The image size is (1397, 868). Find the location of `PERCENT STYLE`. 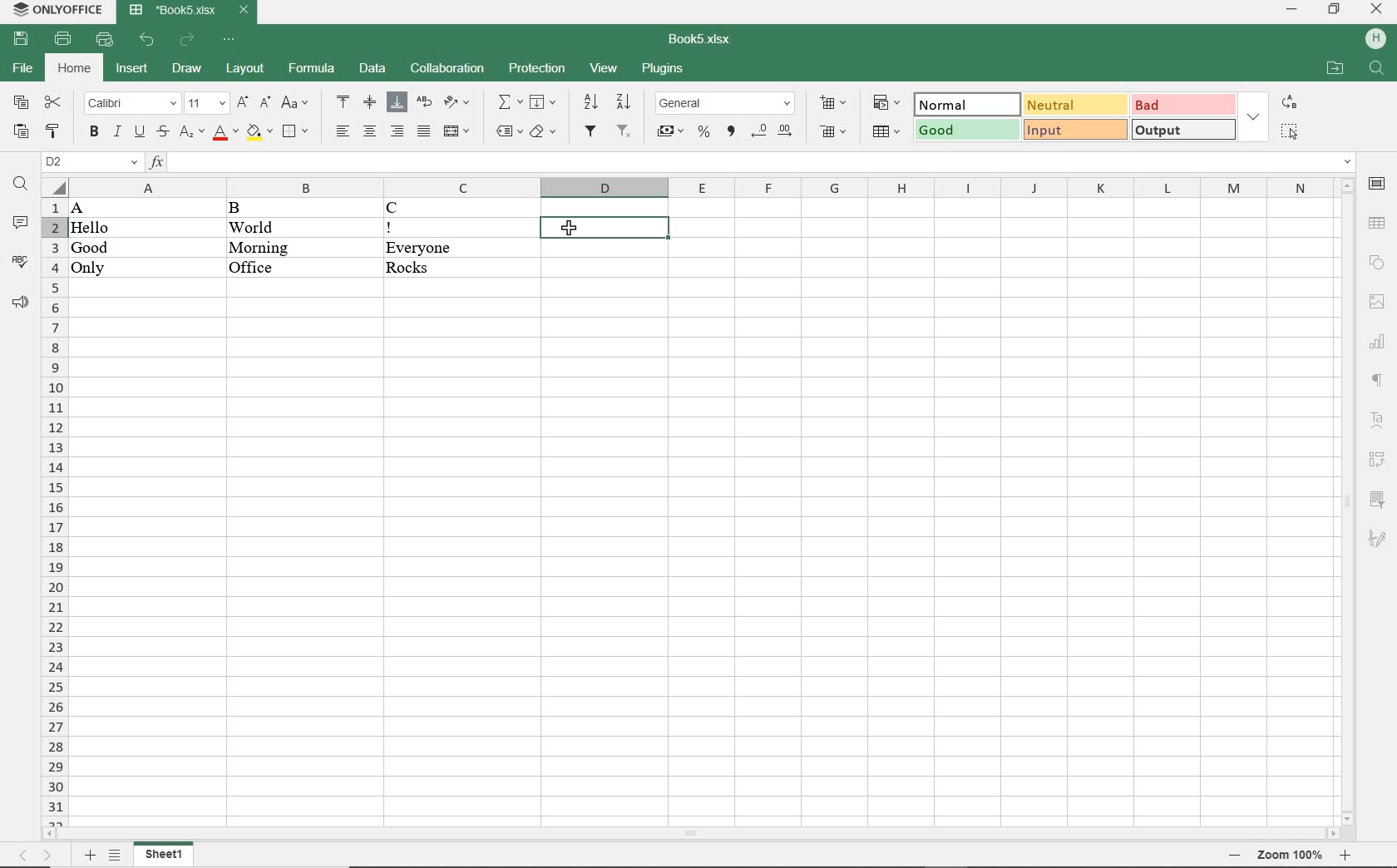

PERCENT STYLE is located at coordinates (705, 133).